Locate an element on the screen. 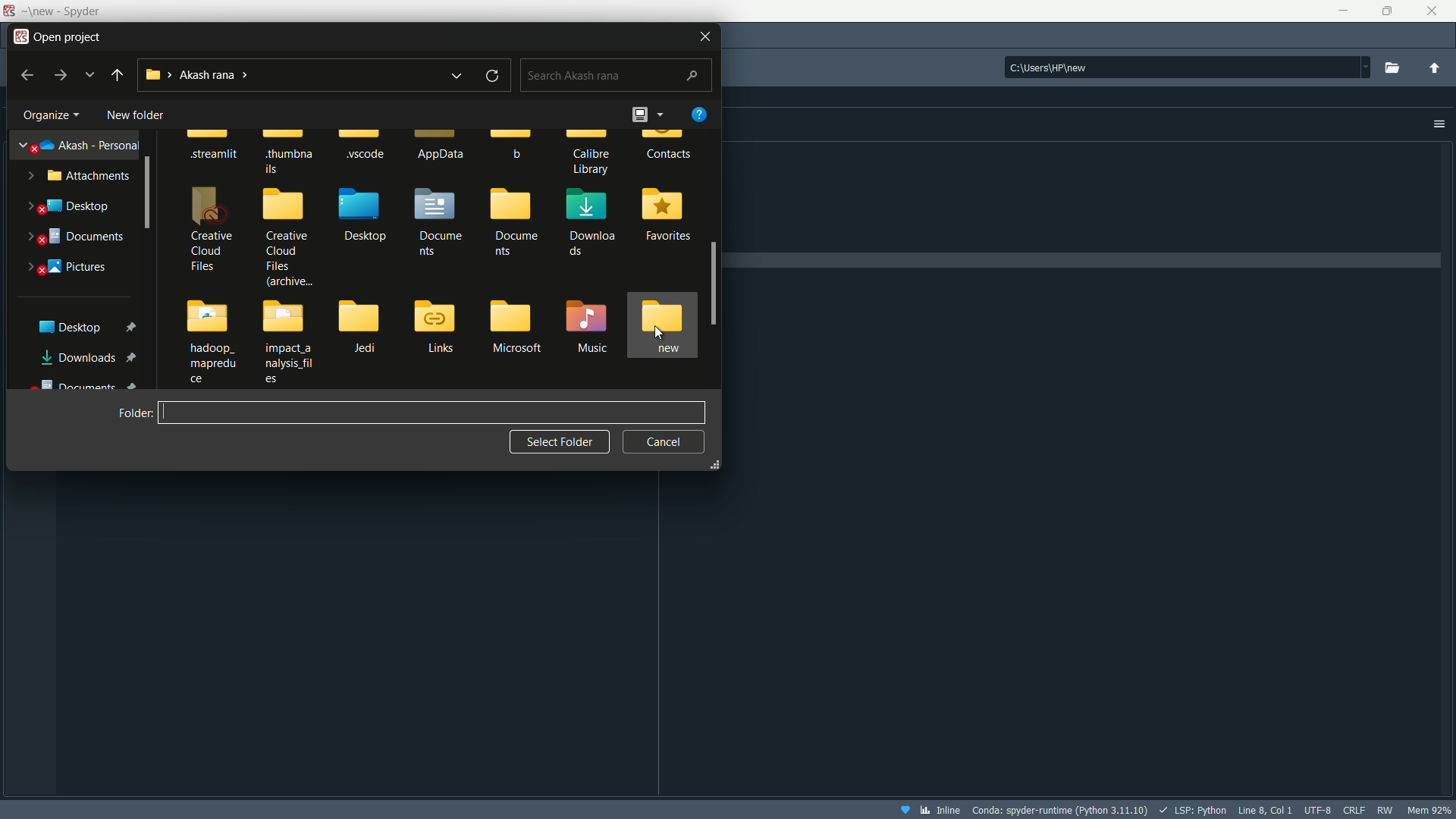 The height and width of the screenshot is (819, 1456). search bar is located at coordinates (616, 73).